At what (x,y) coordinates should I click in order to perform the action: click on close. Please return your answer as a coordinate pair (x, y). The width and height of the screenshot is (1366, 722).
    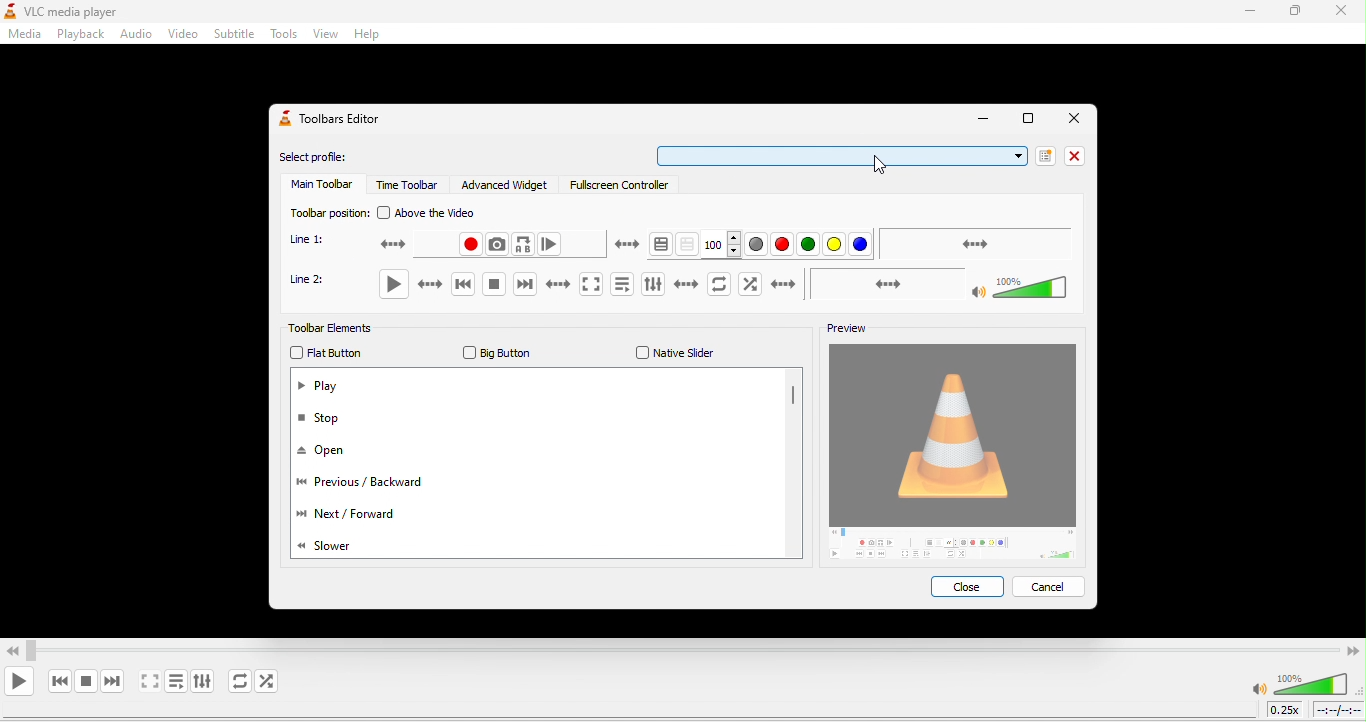
    Looking at the image, I should click on (1342, 12).